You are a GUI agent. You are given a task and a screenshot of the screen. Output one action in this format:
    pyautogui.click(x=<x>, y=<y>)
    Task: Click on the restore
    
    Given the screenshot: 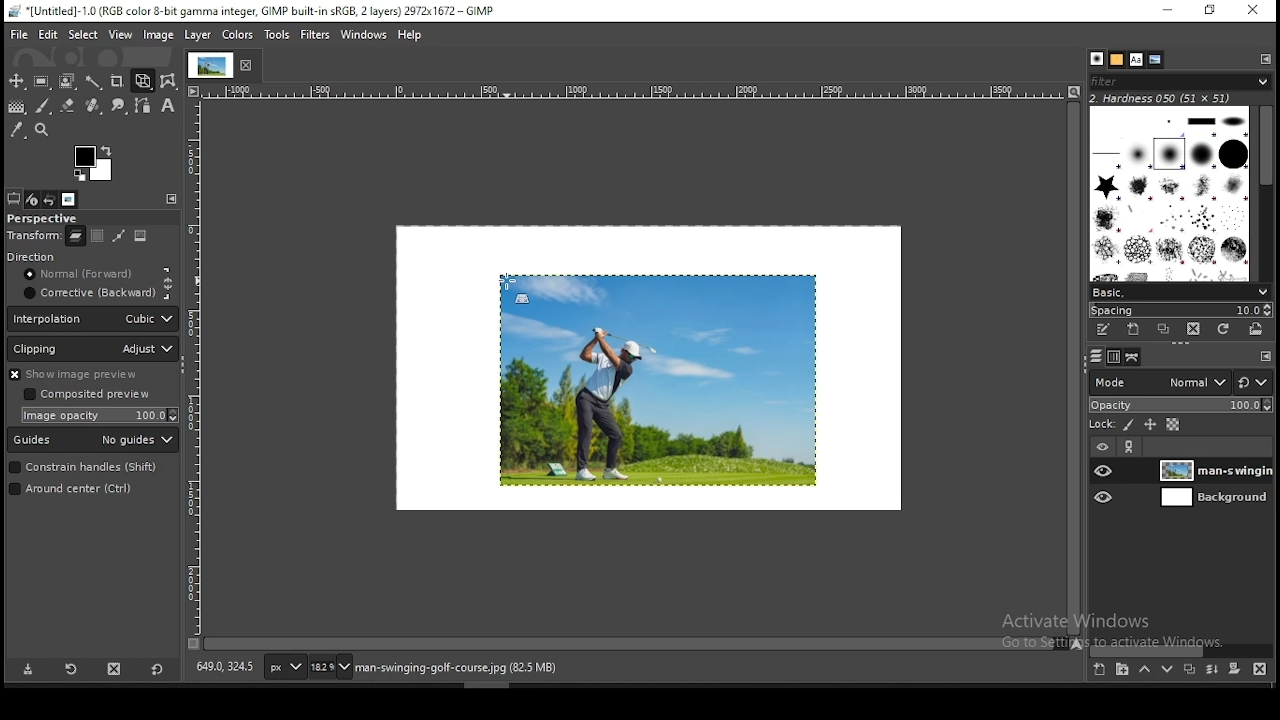 What is the action you would take?
    pyautogui.click(x=1209, y=11)
    